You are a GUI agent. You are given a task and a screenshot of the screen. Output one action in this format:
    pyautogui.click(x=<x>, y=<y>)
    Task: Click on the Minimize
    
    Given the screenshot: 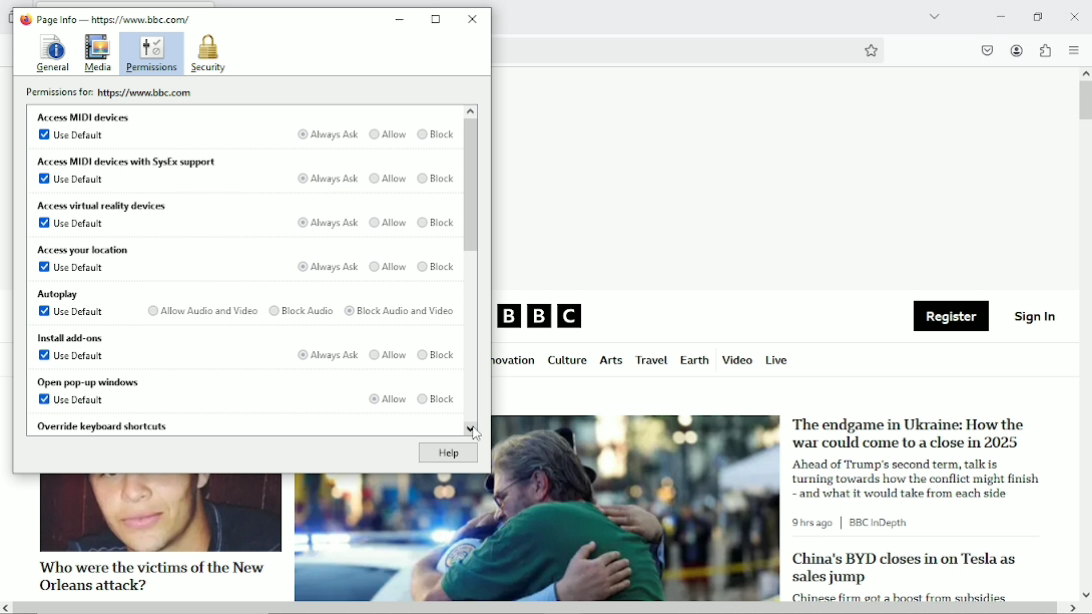 What is the action you would take?
    pyautogui.click(x=999, y=16)
    